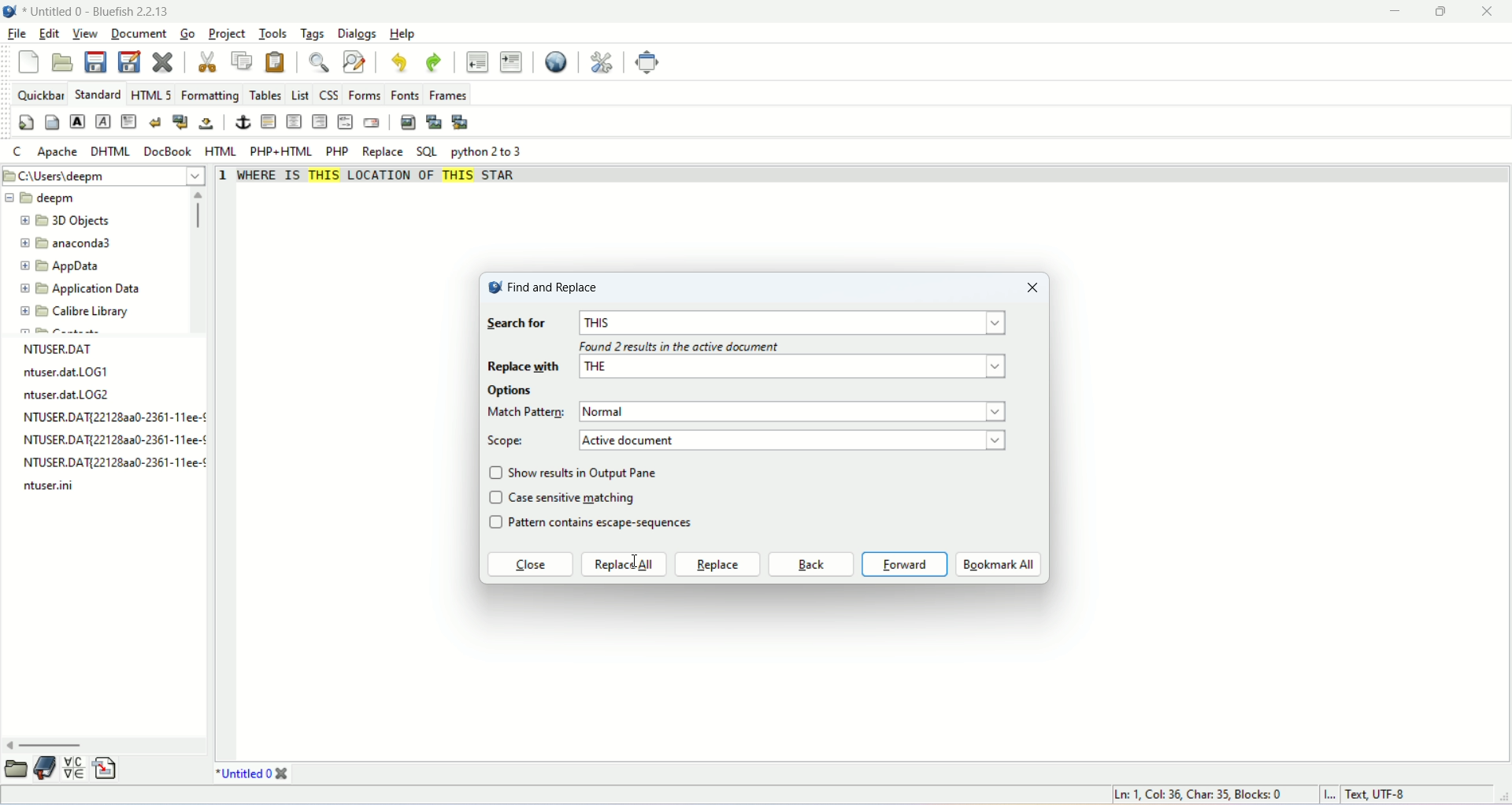  Describe the element at coordinates (98, 10) in the screenshot. I see `Untitled 0 - Bluefish 2.2.13` at that location.